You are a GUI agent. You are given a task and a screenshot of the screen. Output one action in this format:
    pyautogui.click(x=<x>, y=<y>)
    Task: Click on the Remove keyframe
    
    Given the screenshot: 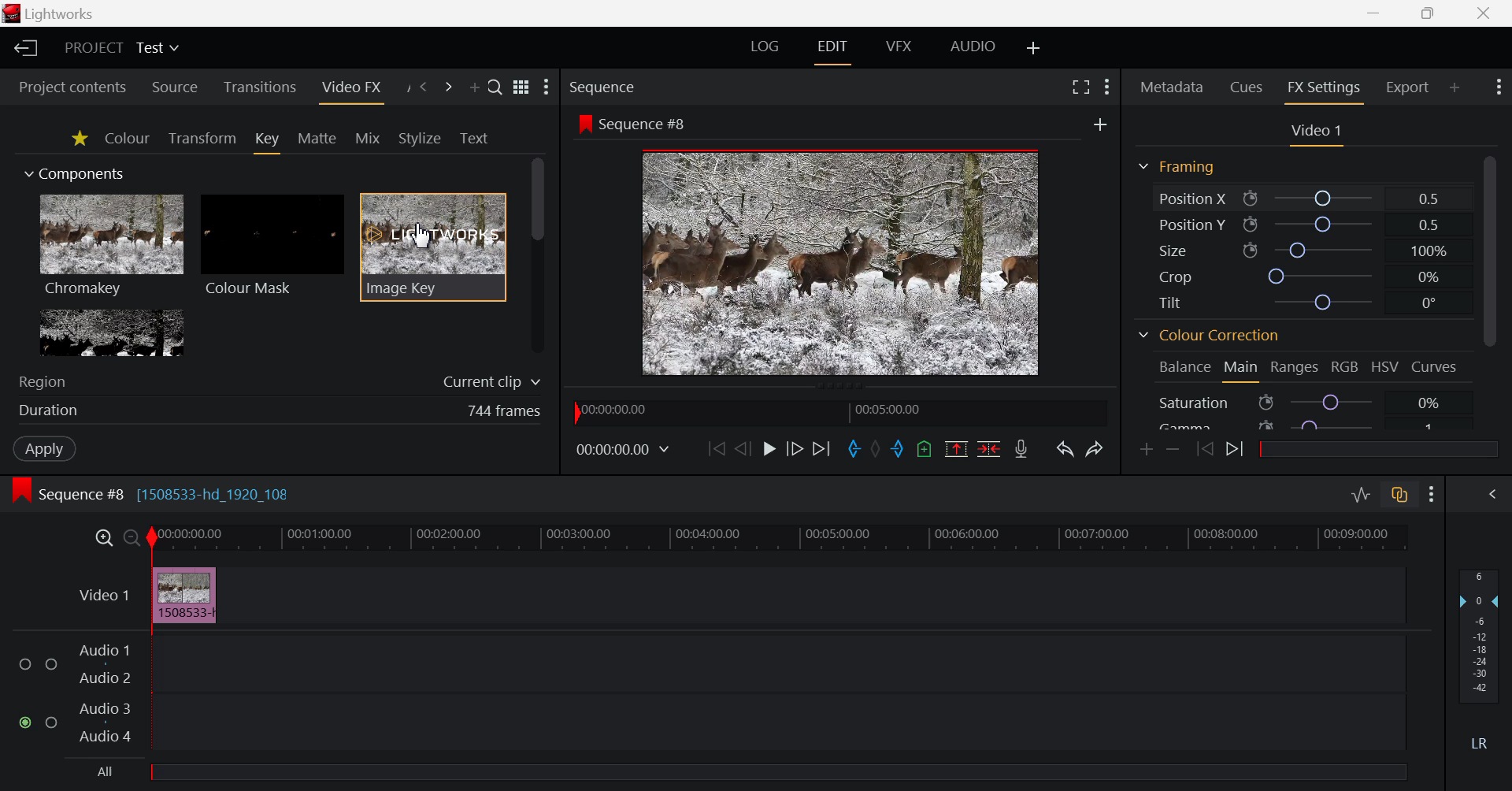 What is the action you would take?
    pyautogui.click(x=1176, y=448)
    